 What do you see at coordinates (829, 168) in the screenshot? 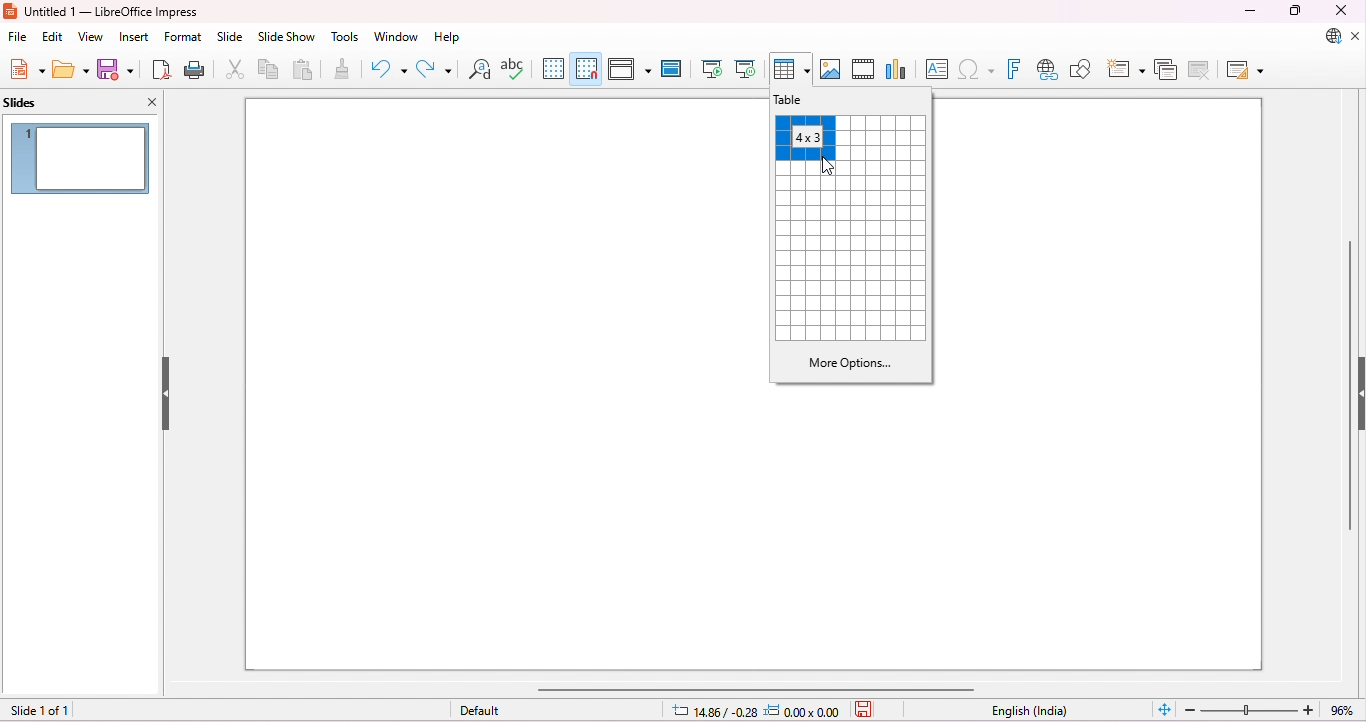
I see `cursor` at bounding box center [829, 168].